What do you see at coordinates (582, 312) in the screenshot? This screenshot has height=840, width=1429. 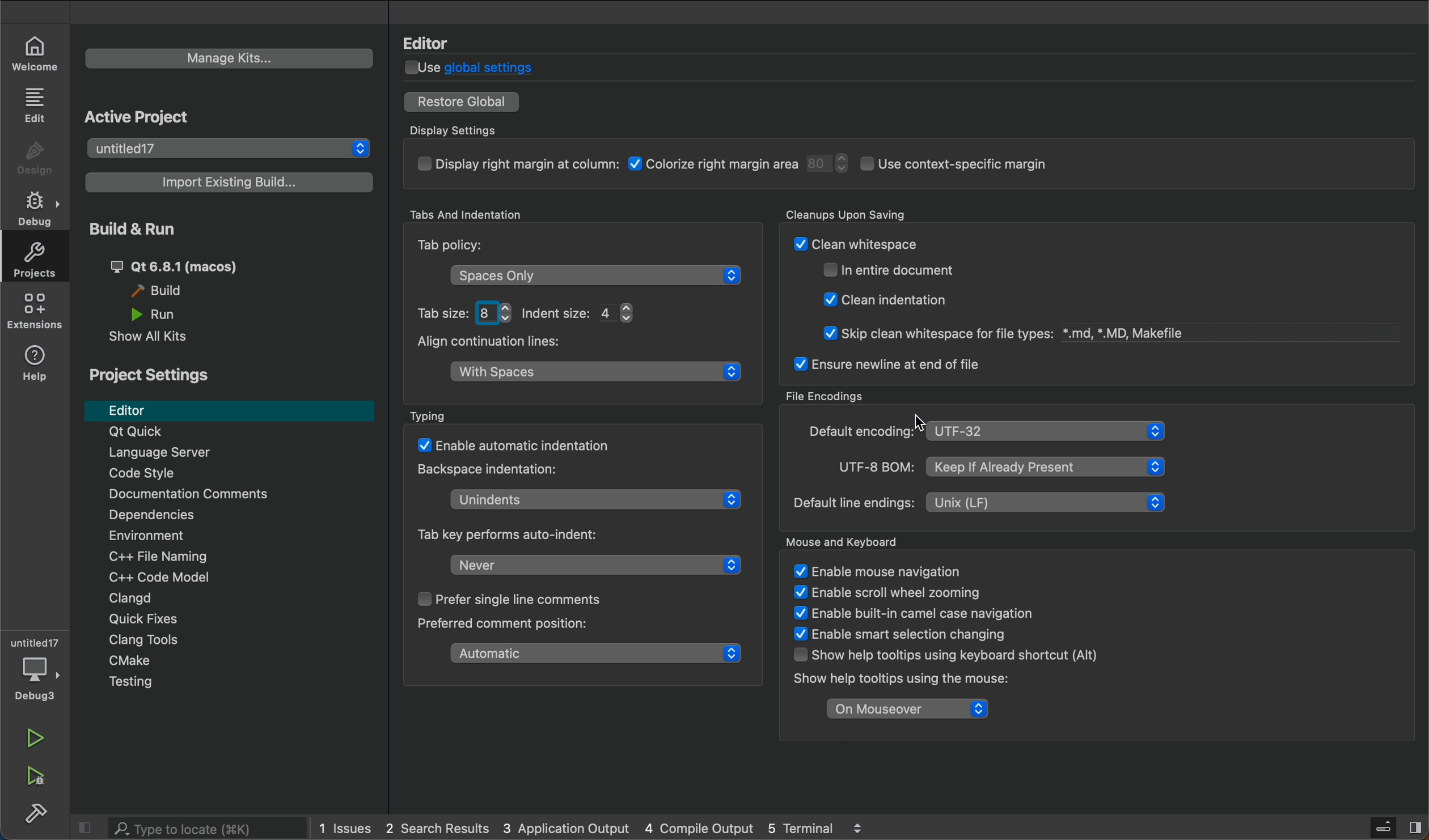 I see `Indent Size` at bounding box center [582, 312].